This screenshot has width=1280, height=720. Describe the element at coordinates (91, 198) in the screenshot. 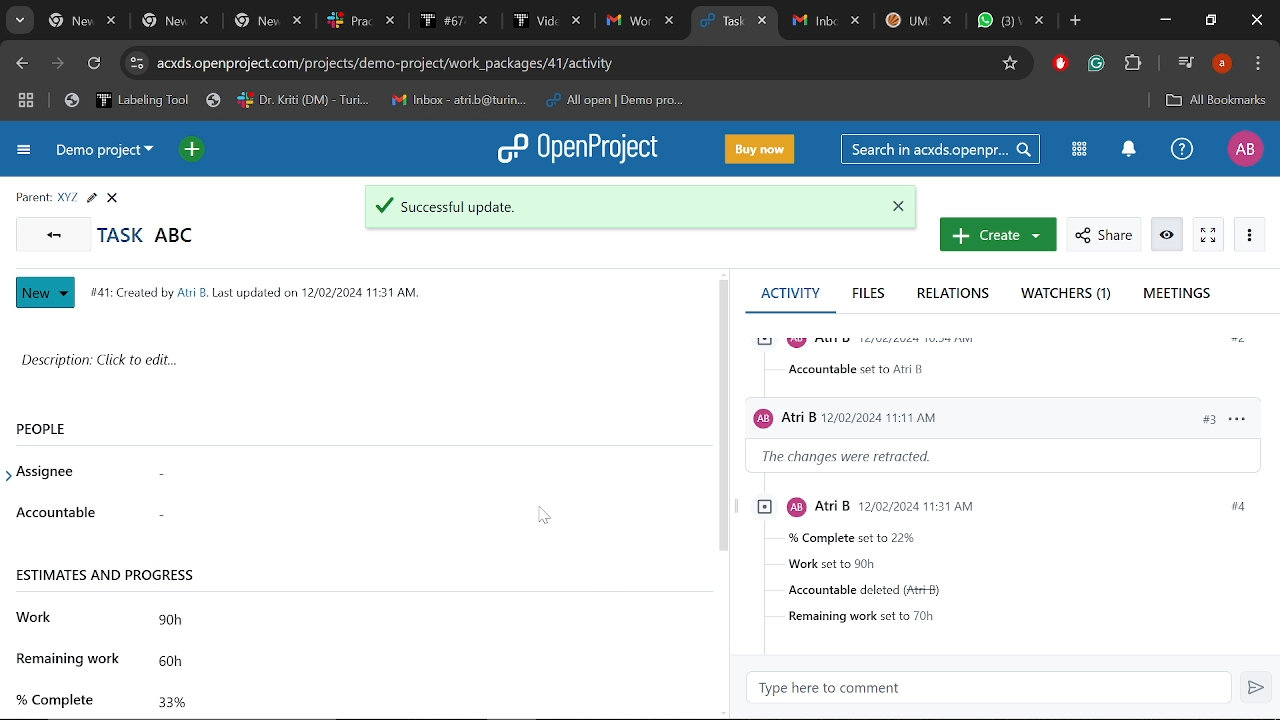

I see `Edit` at that location.